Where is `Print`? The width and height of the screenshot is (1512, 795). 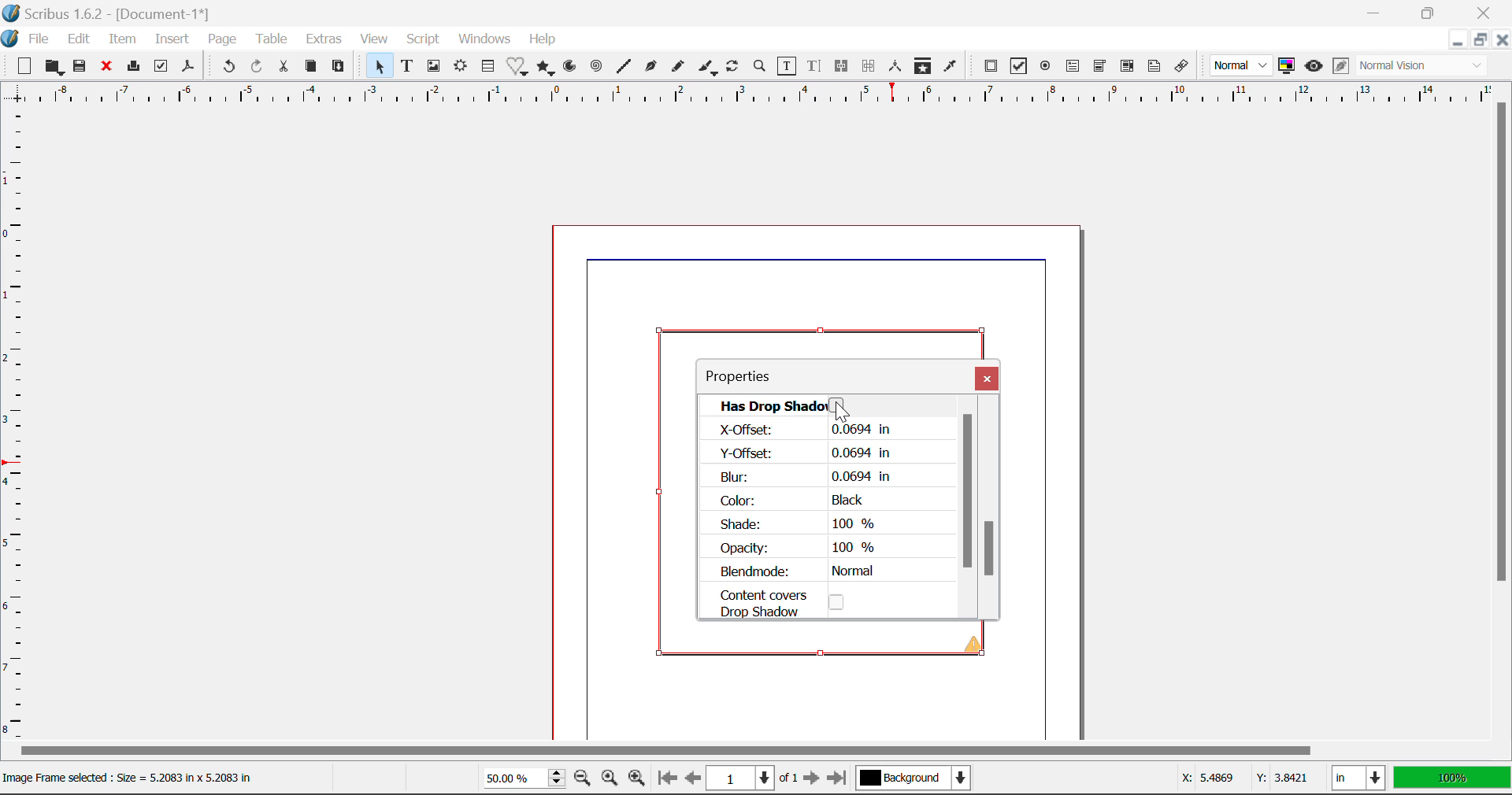 Print is located at coordinates (136, 68).